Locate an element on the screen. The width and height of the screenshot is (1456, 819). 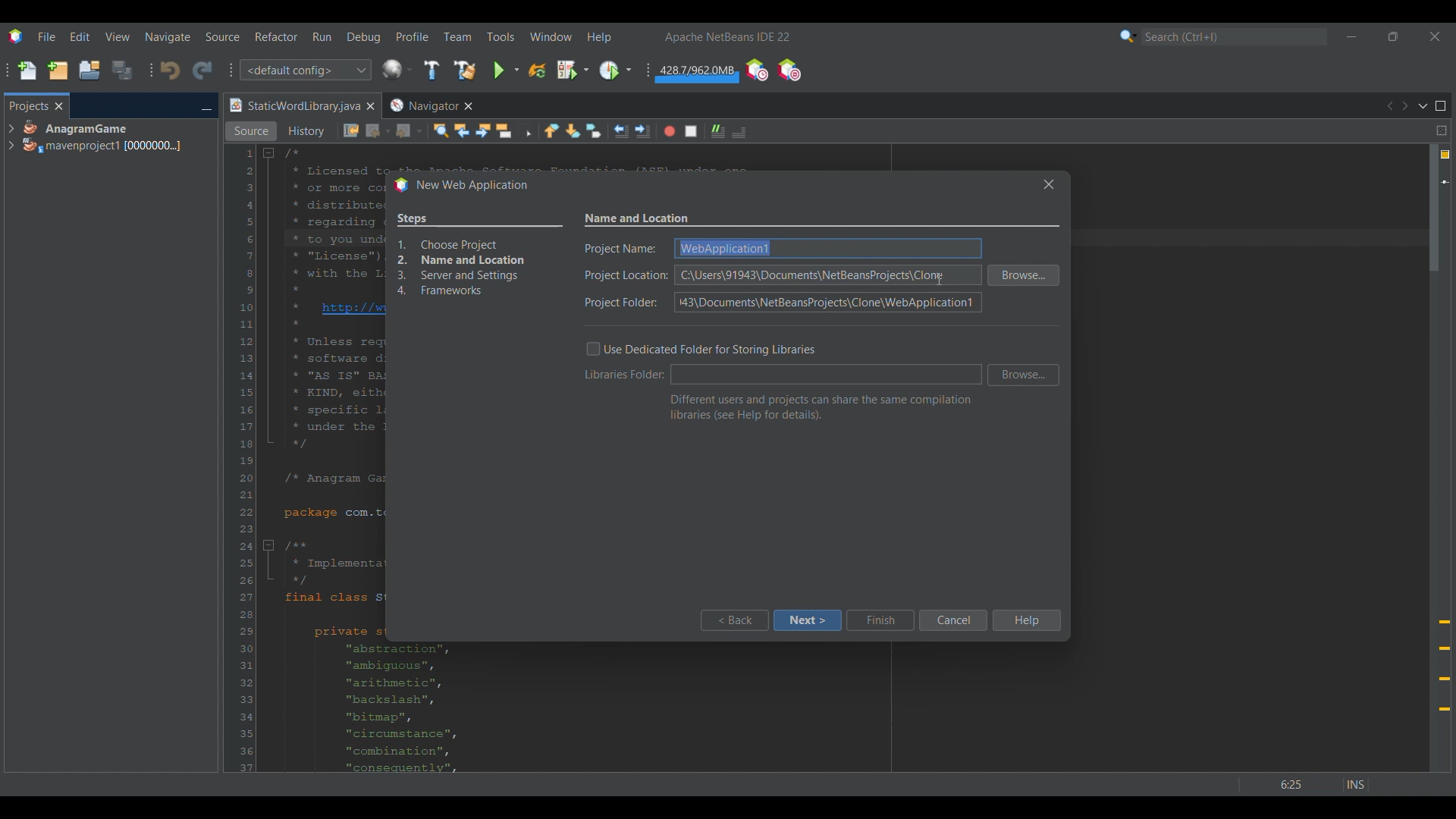
Pause I/O checks is located at coordinates (789, 70).